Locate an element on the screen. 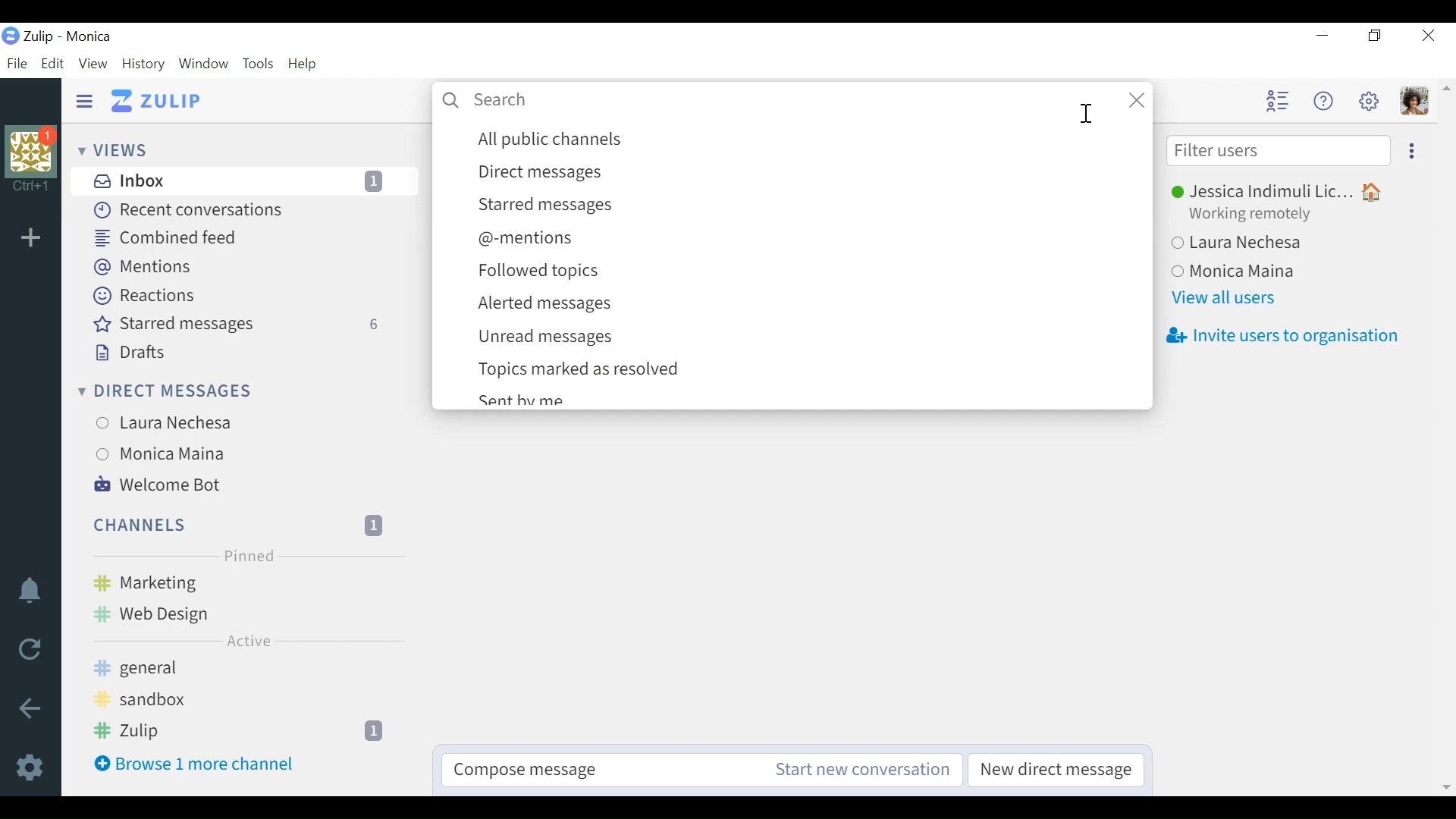 This screenshot has width=1456, height=819. Settings menu is located at coordinates (1370, 100).